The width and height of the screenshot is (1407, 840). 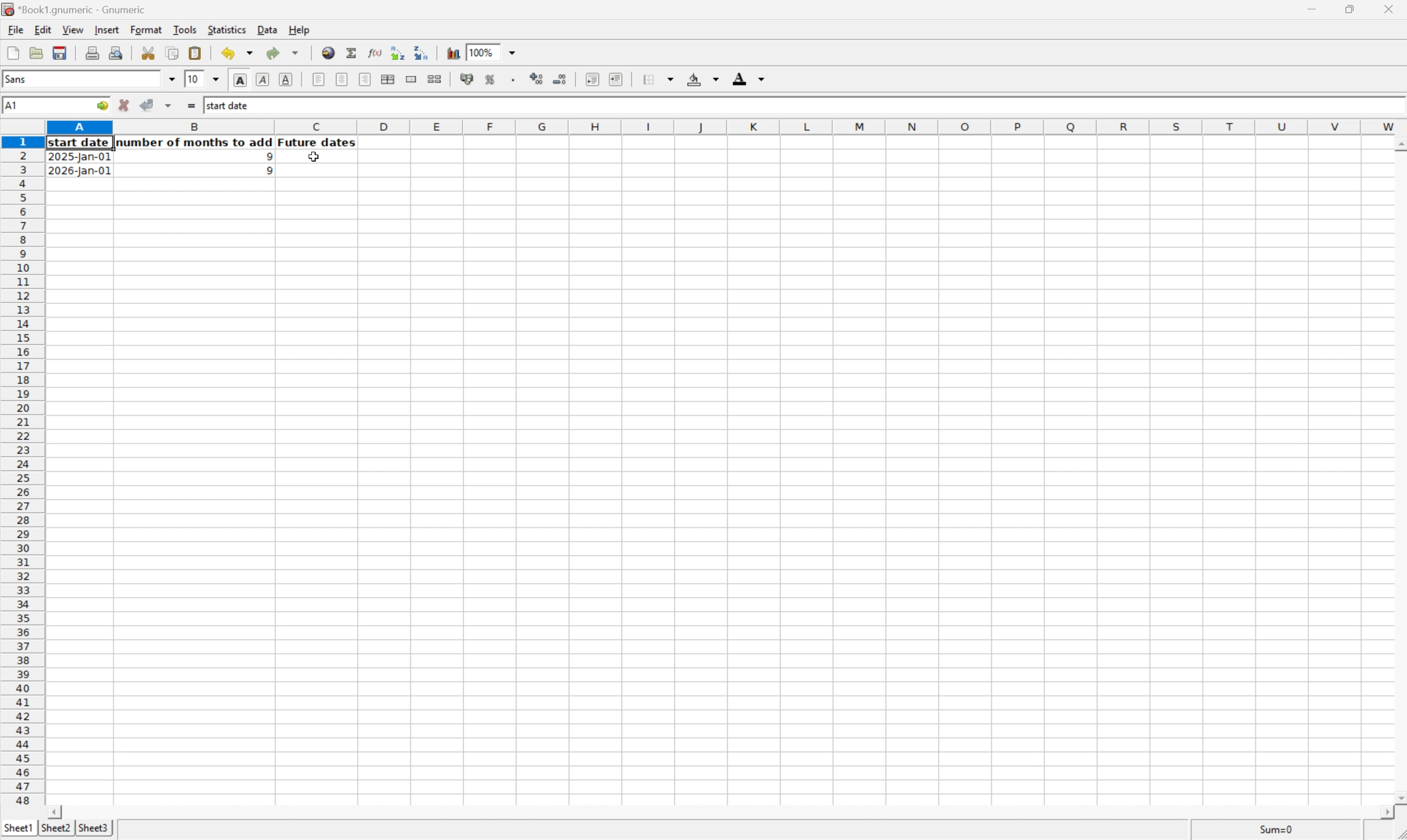 What do you see at coordinates (1390, 7) in the screenshot?
I see `Close` at bounding box center [1390, 7].